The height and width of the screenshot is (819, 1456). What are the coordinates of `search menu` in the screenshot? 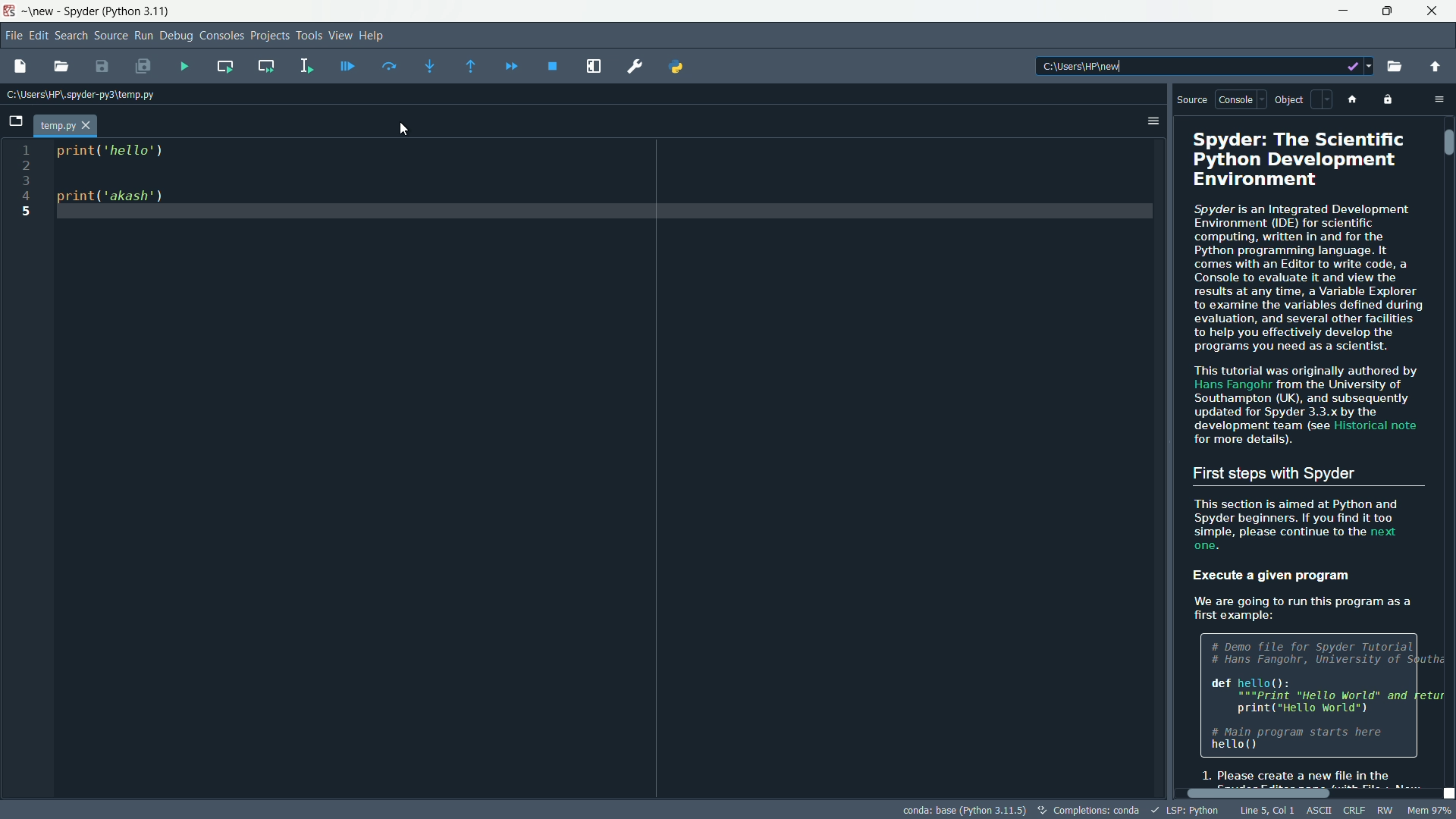 It's located at (71, 36).